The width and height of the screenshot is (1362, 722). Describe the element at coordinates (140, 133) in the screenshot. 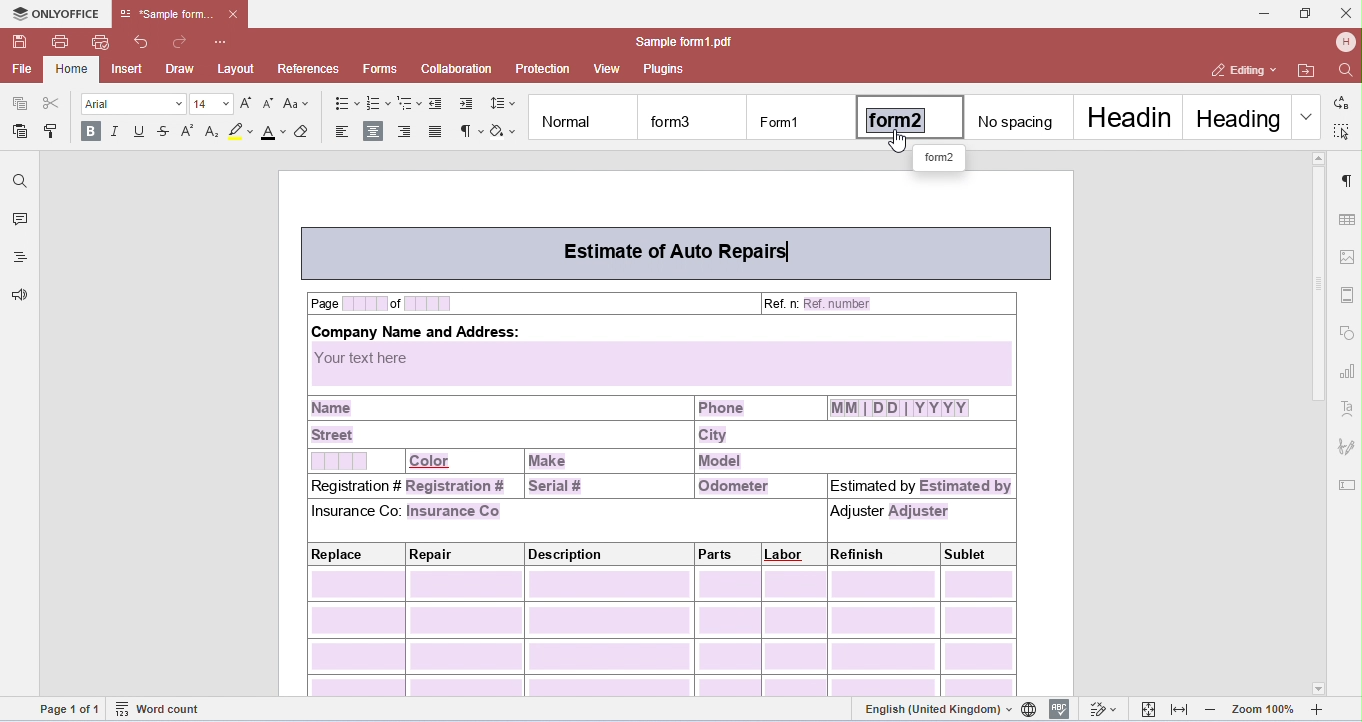

I see `underline` at that location.